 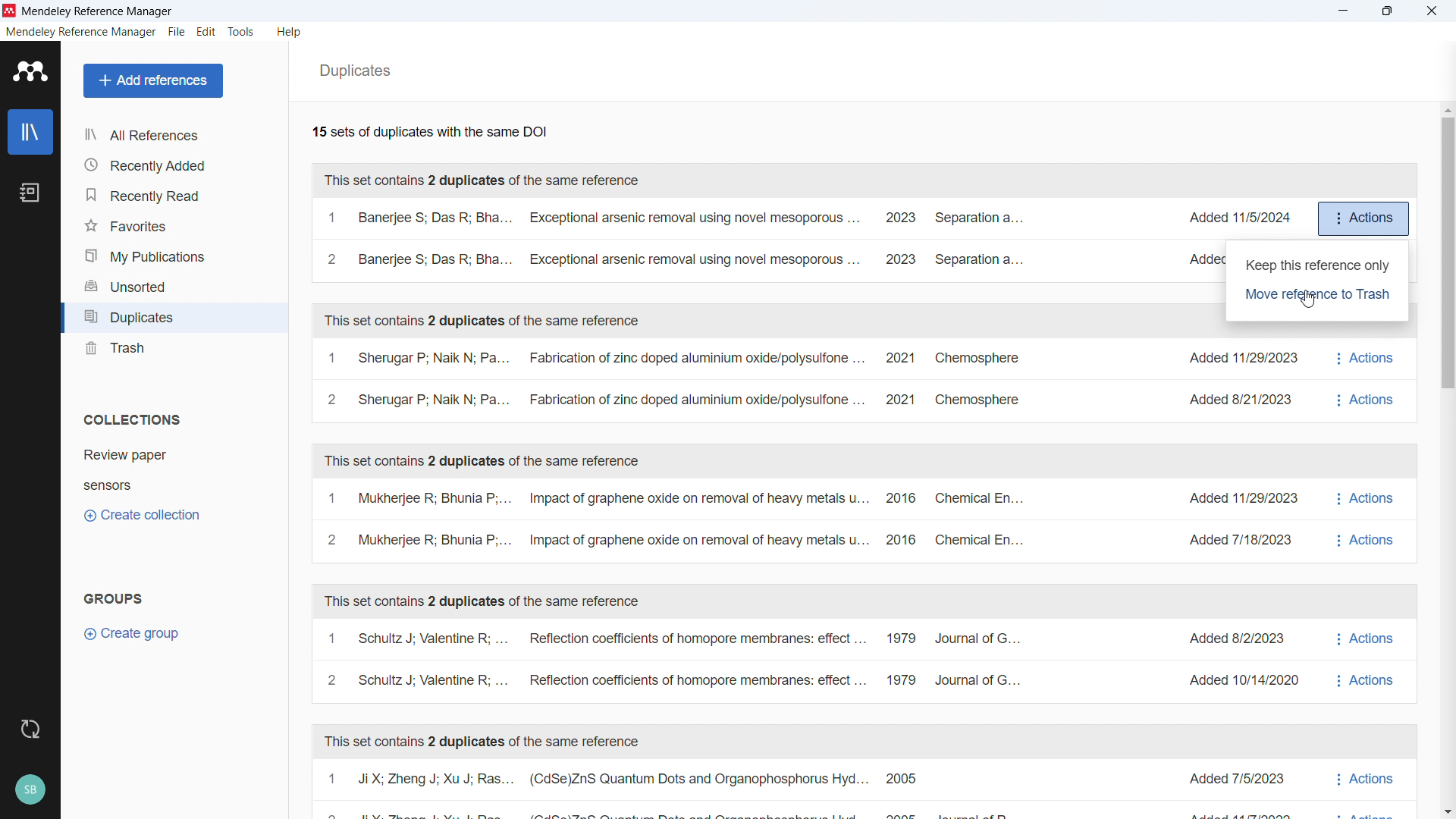 I want to click on Create group , so click(x=134, y=634).